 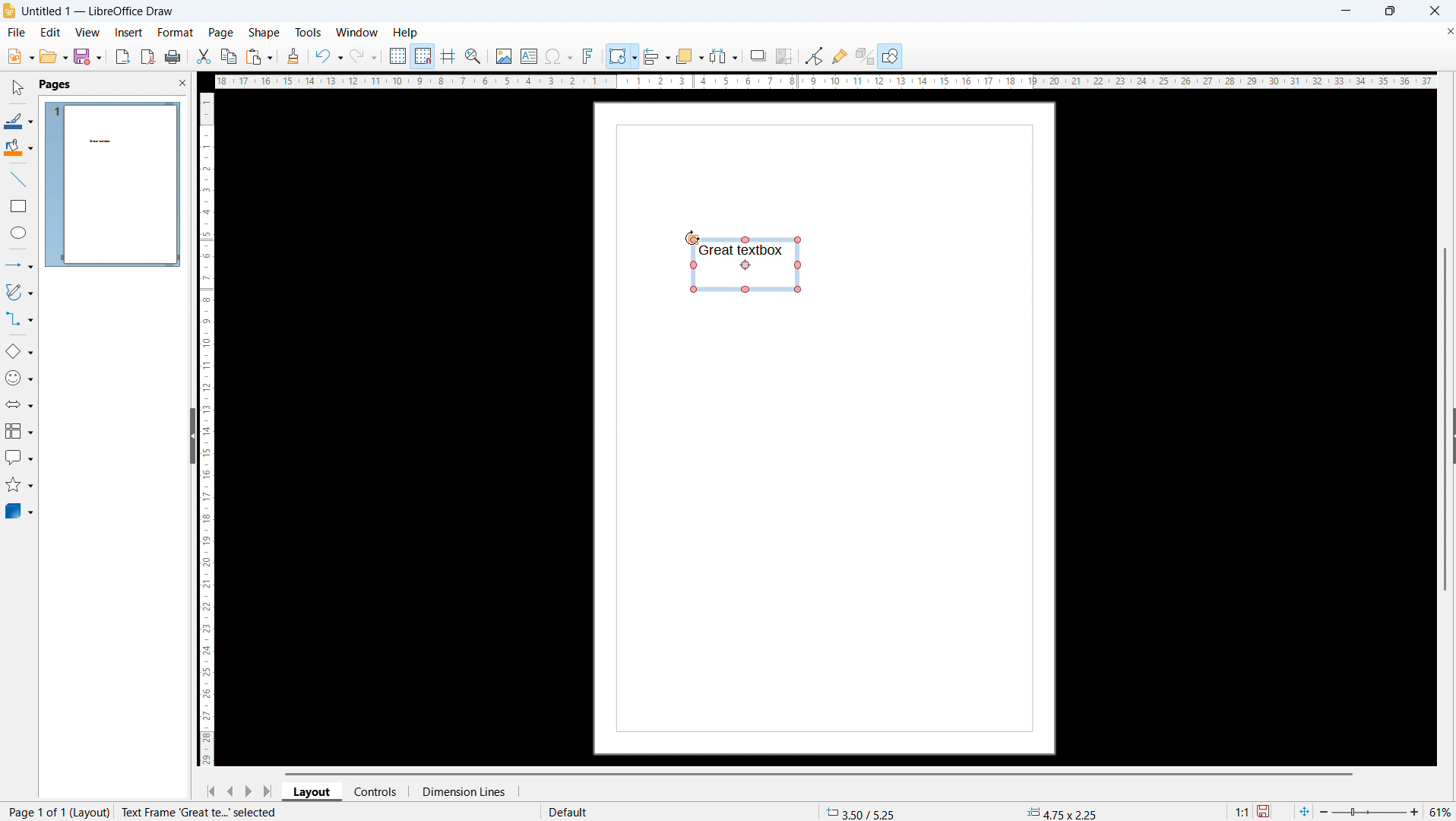 I want to click on snap to grid, so click(x=423, y=55).